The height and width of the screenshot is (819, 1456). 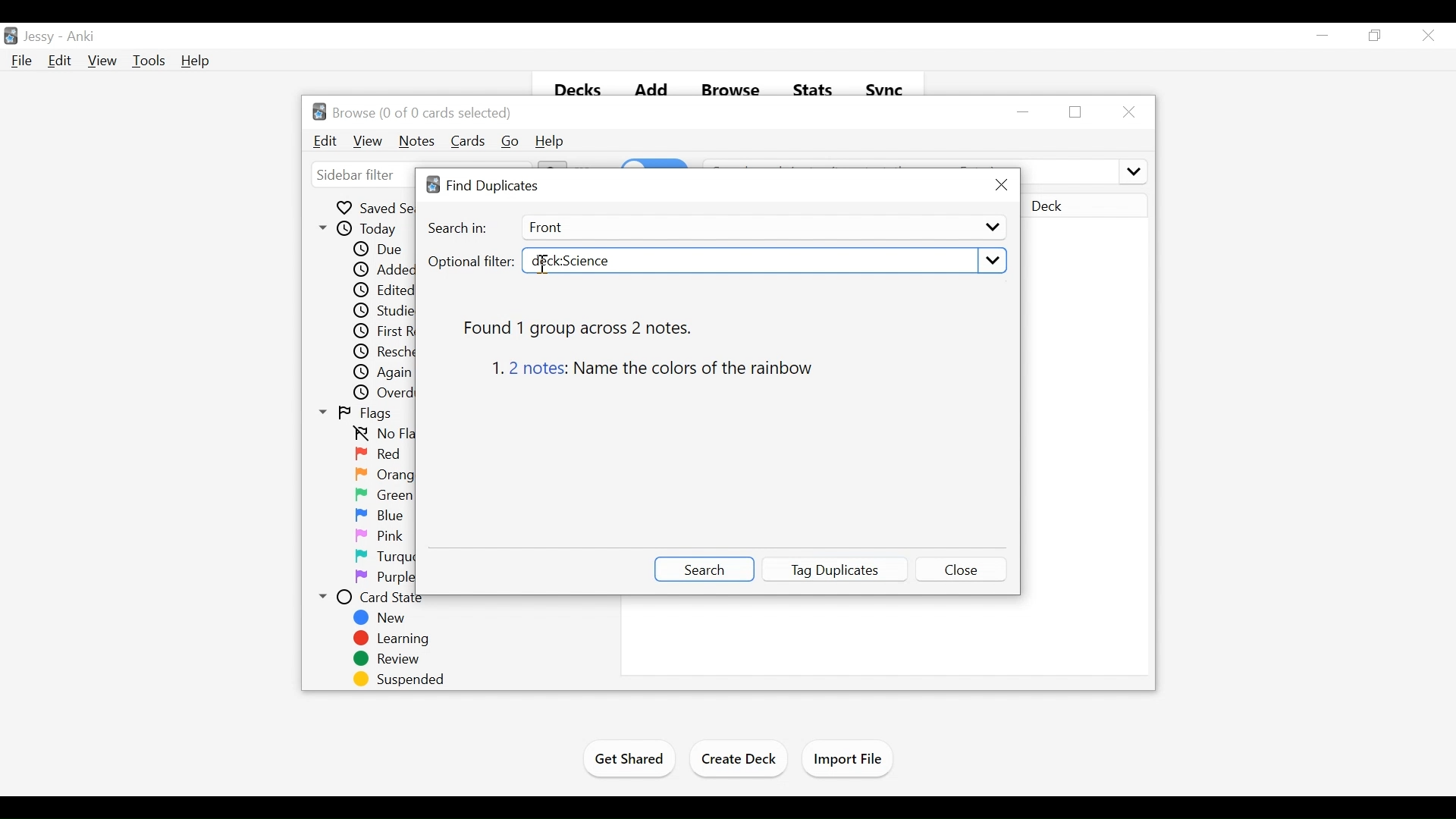 I want to click on Added, so click(x=380, y=271).